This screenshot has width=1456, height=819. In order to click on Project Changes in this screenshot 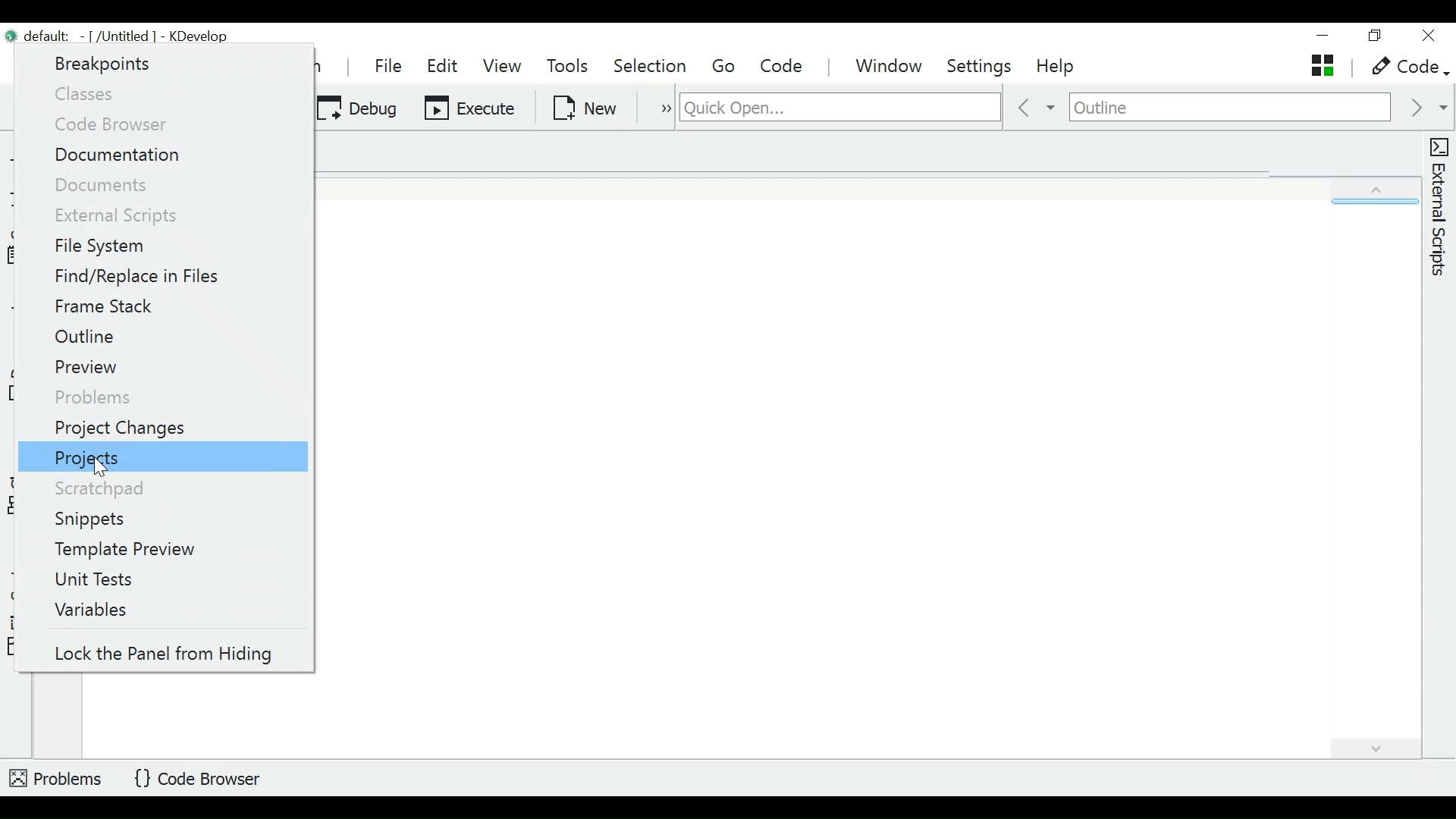, I will do `click(128, 429)`.